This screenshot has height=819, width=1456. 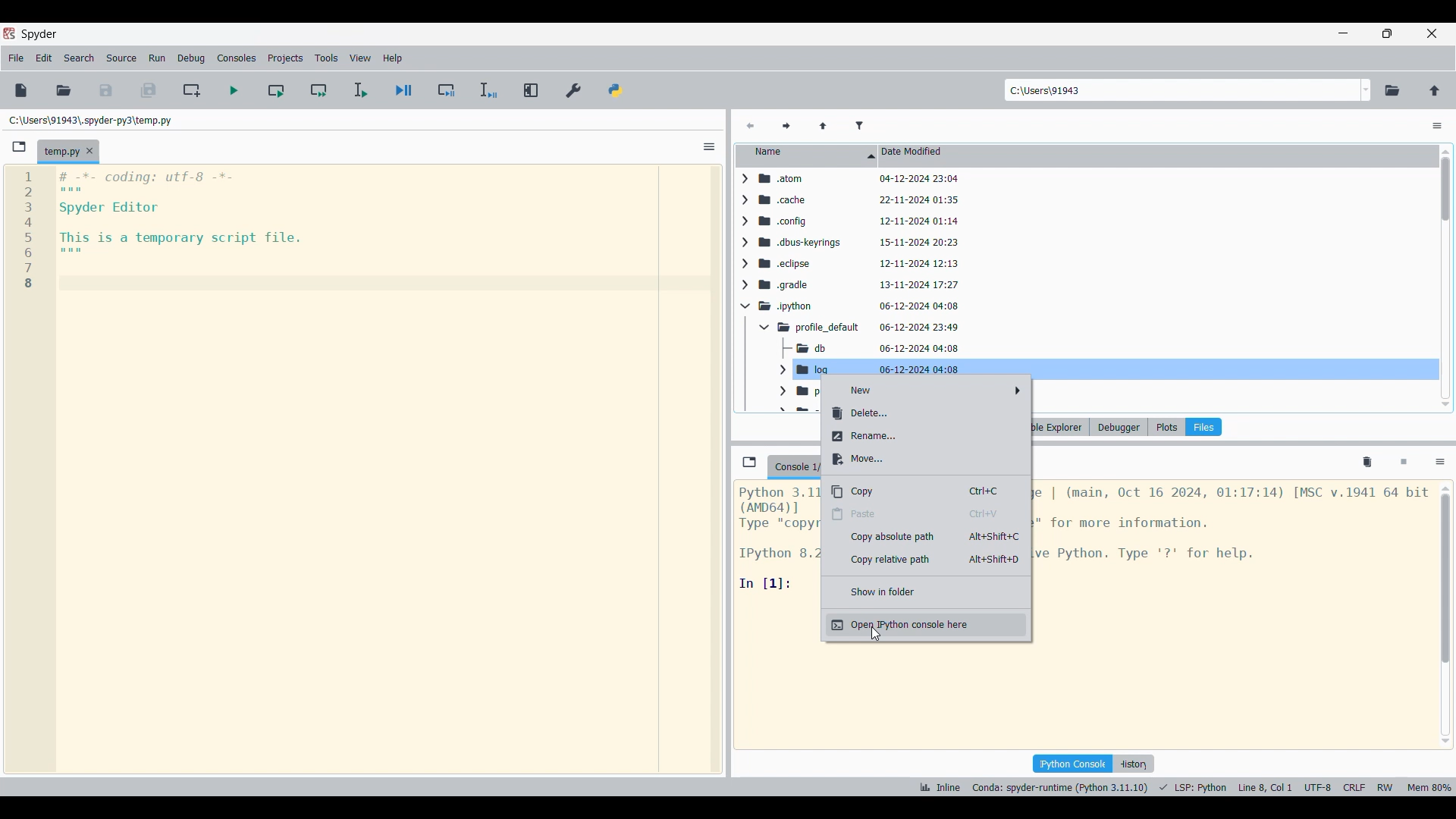 What do you see at coordinates (1387, 33) in the screenshot?
I see `Show in smaller tab` at bounding box center [1387, 33].